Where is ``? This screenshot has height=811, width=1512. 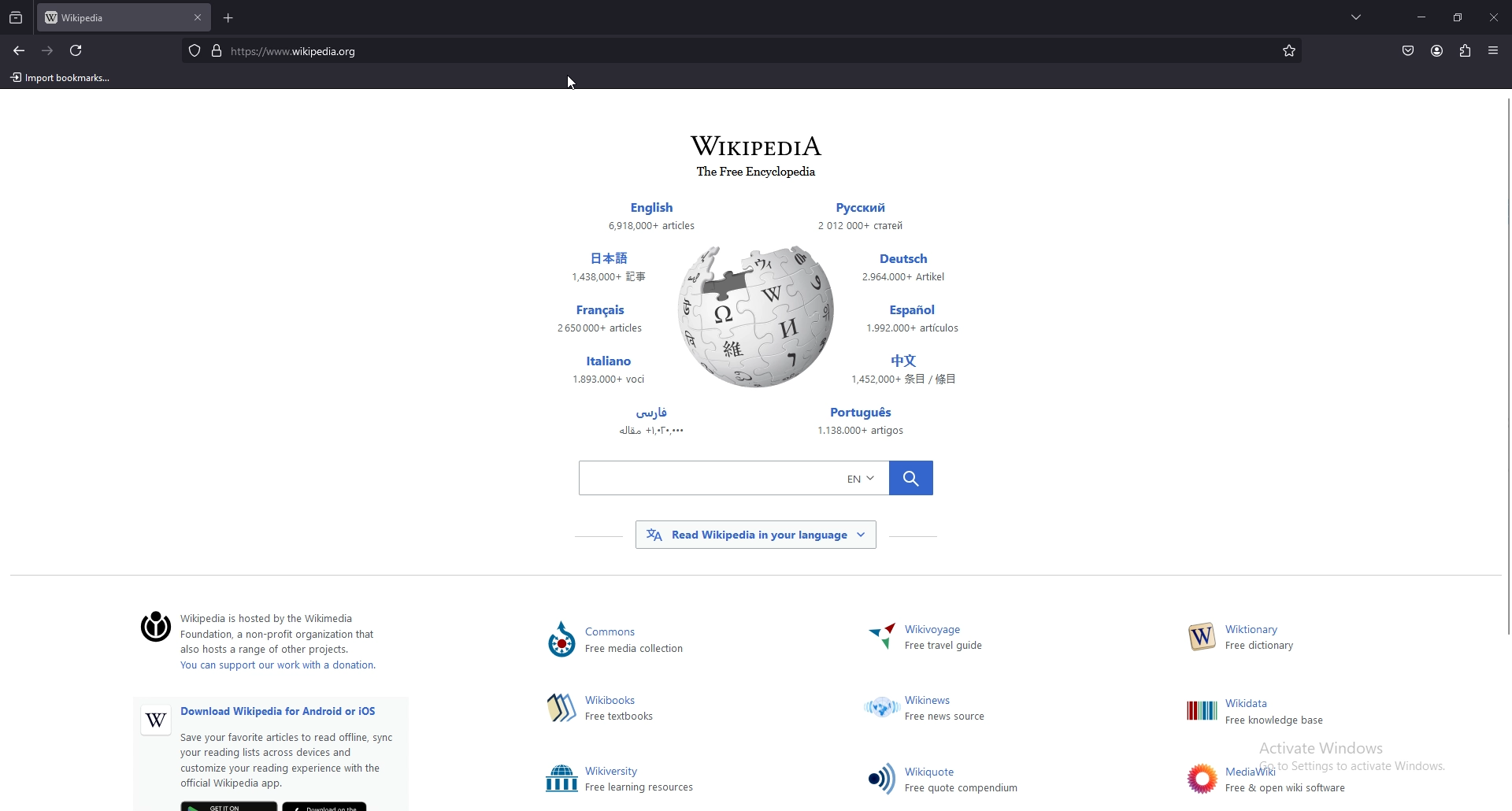
 is located at coordinates (880, 778).